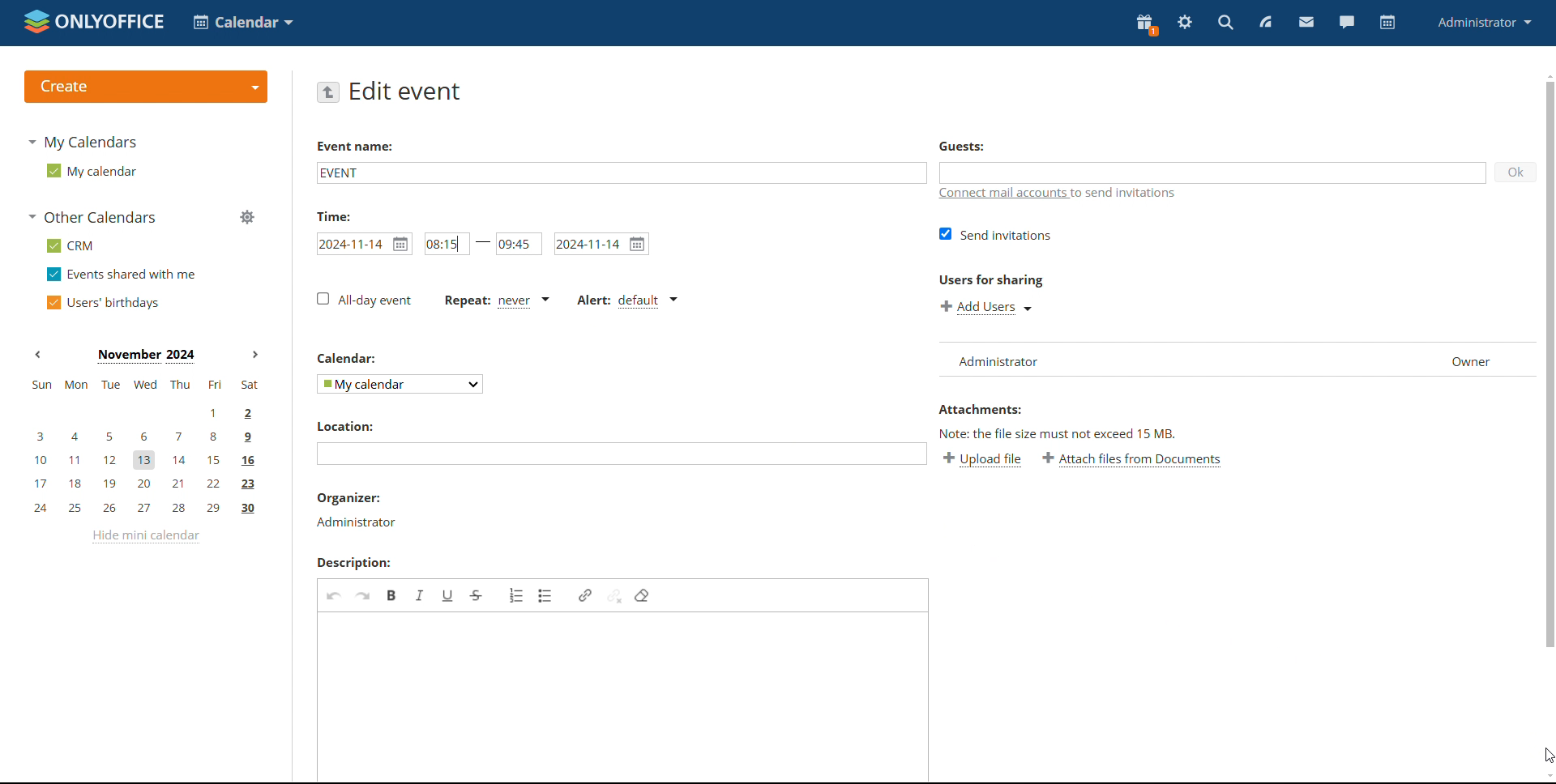  Describe the element at coordinates (643, 594) in the screenshot. I see `remove format` at that location.